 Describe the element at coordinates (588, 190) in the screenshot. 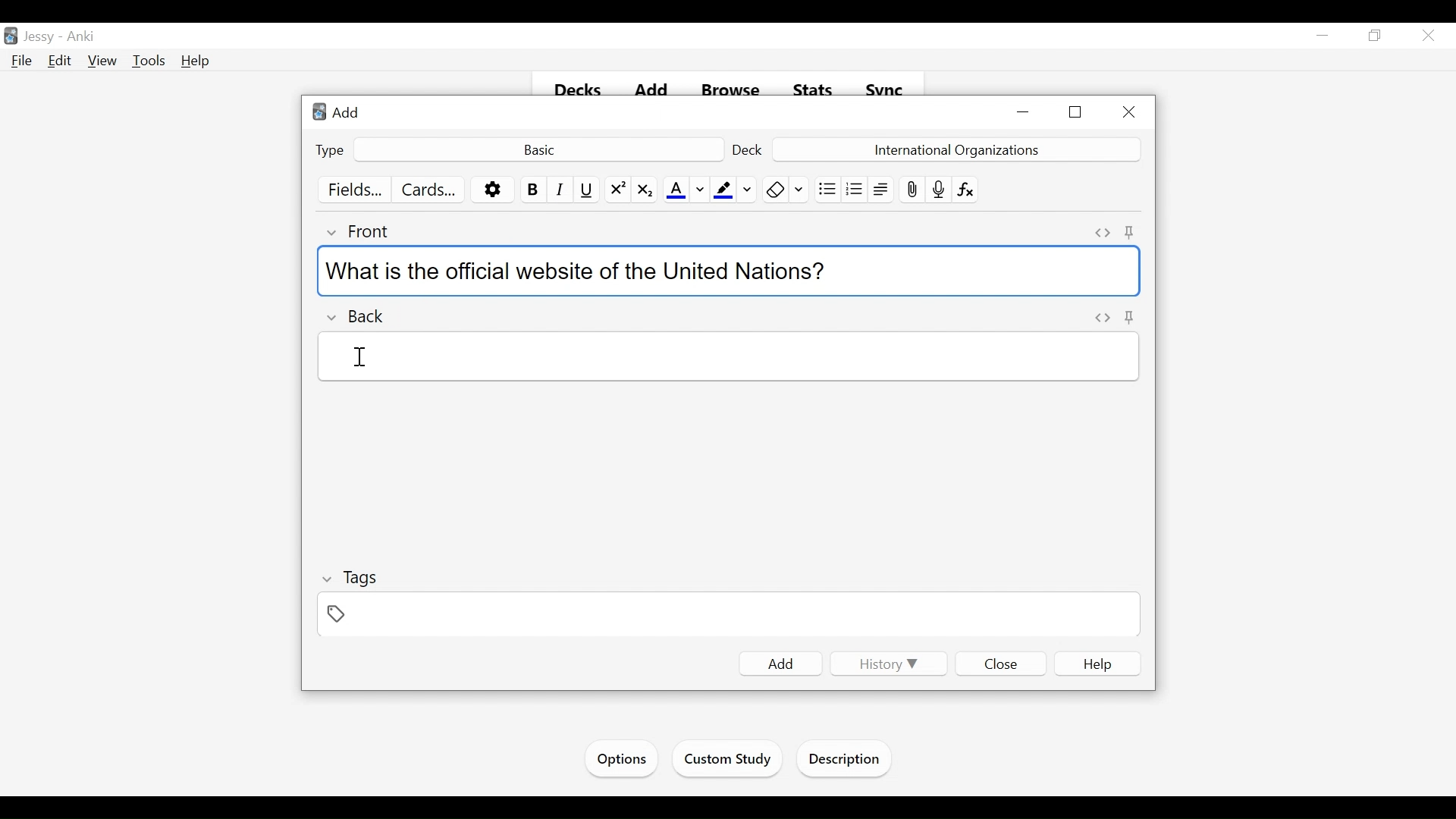

I see `Underline` at that location.